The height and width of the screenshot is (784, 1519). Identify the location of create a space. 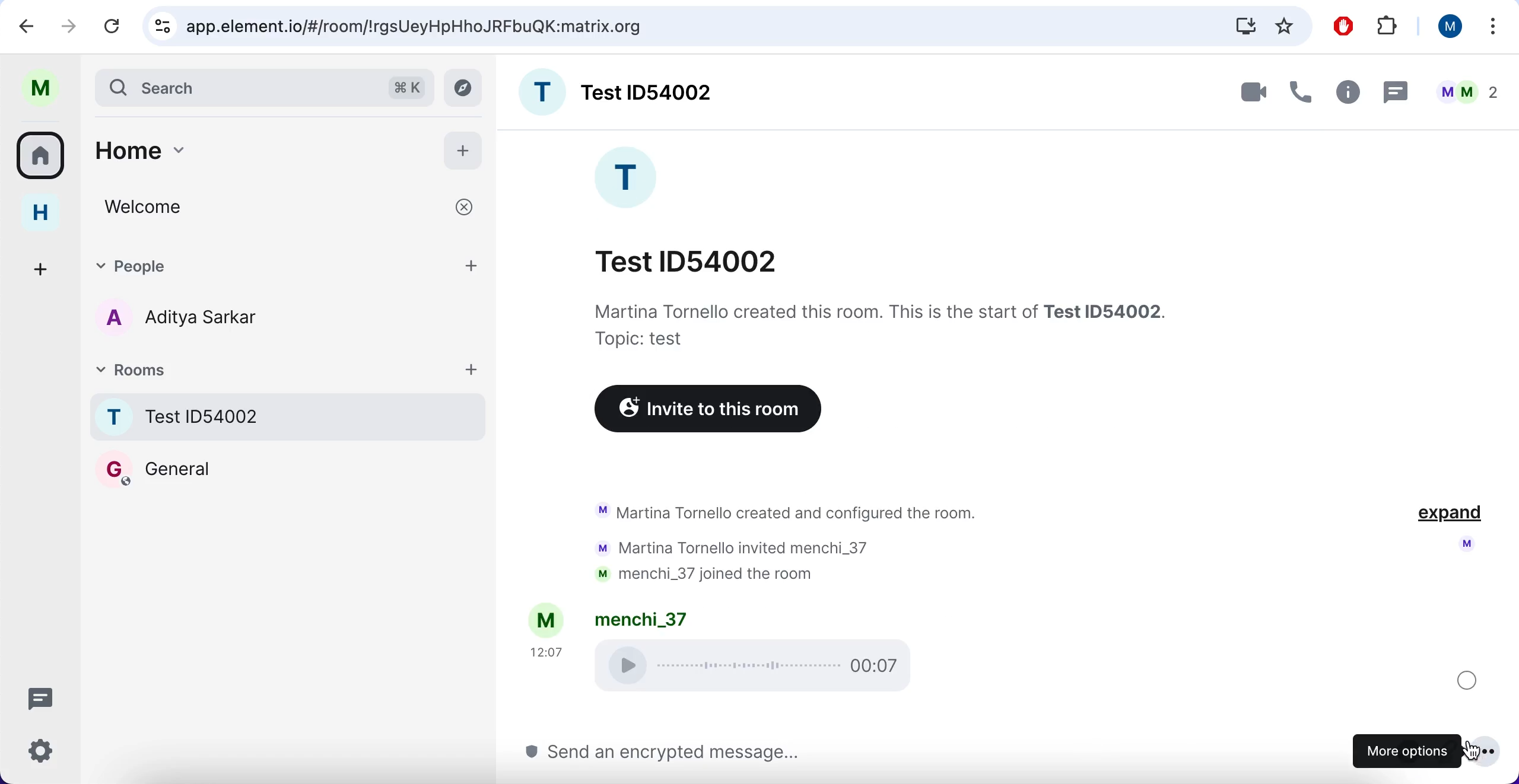
(43, 268).